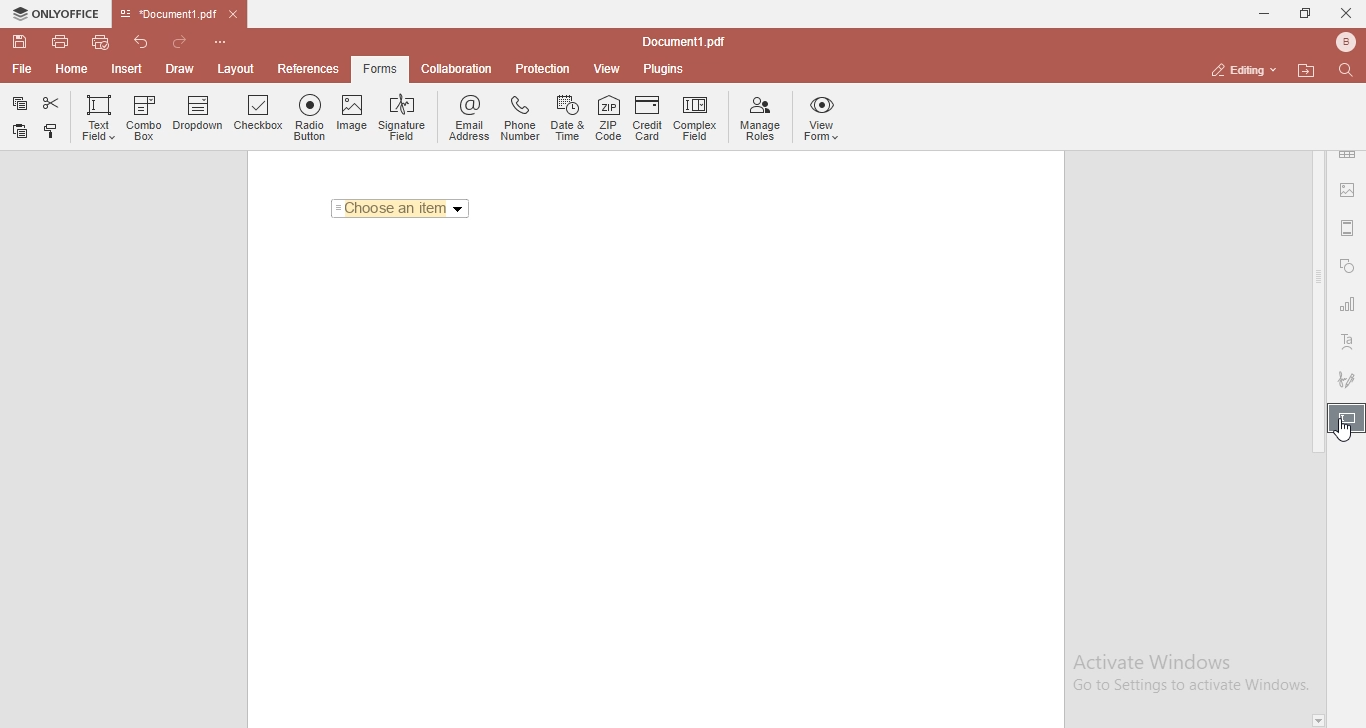 The width and height of the screenshot is (1366, 728). Describe the element at coordinates (184, 38) in the screenshot. I see `redo` at that location.